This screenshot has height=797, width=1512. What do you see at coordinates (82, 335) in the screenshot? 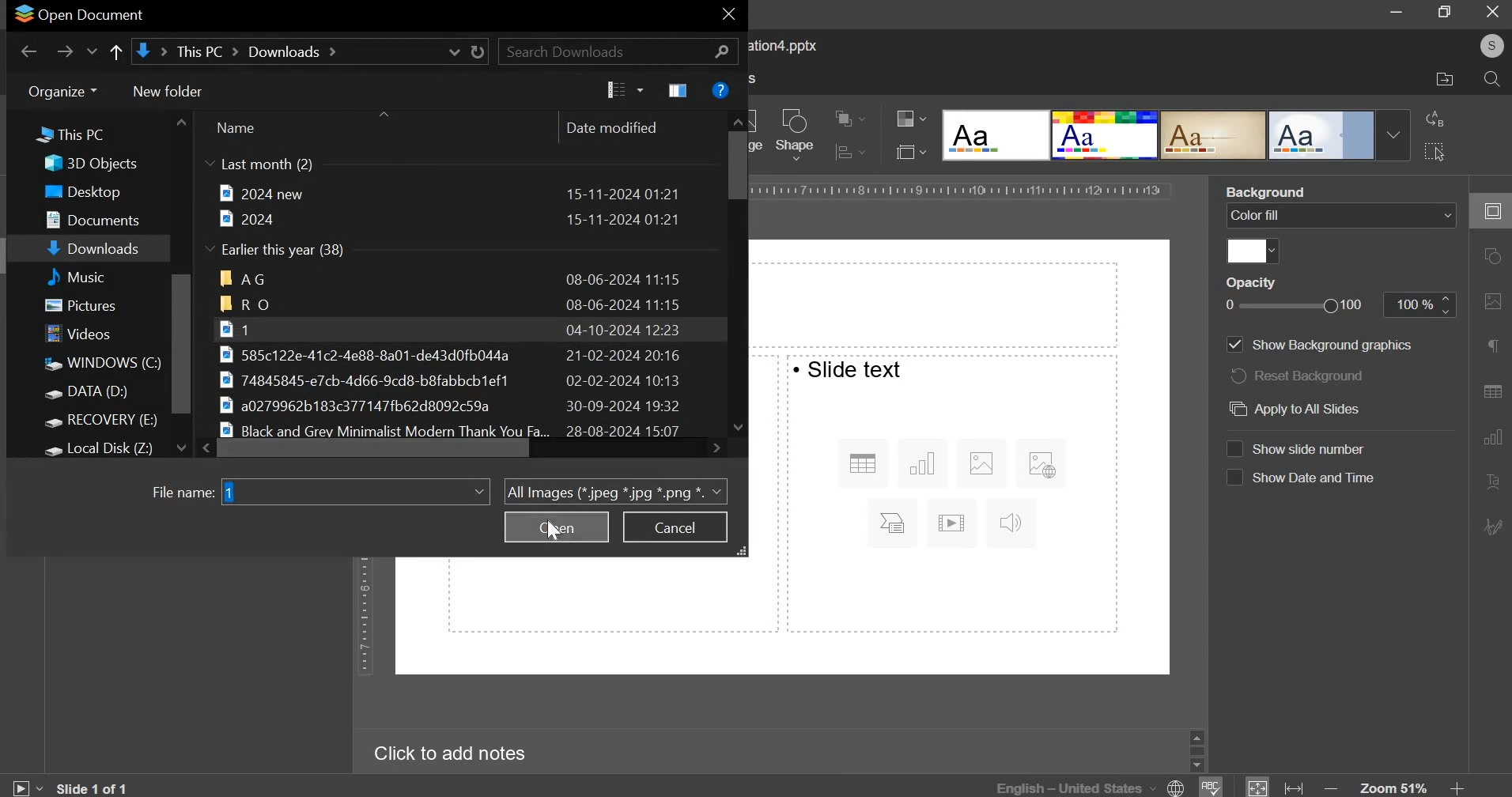
I see `videos` at bounding box center [82, 335].